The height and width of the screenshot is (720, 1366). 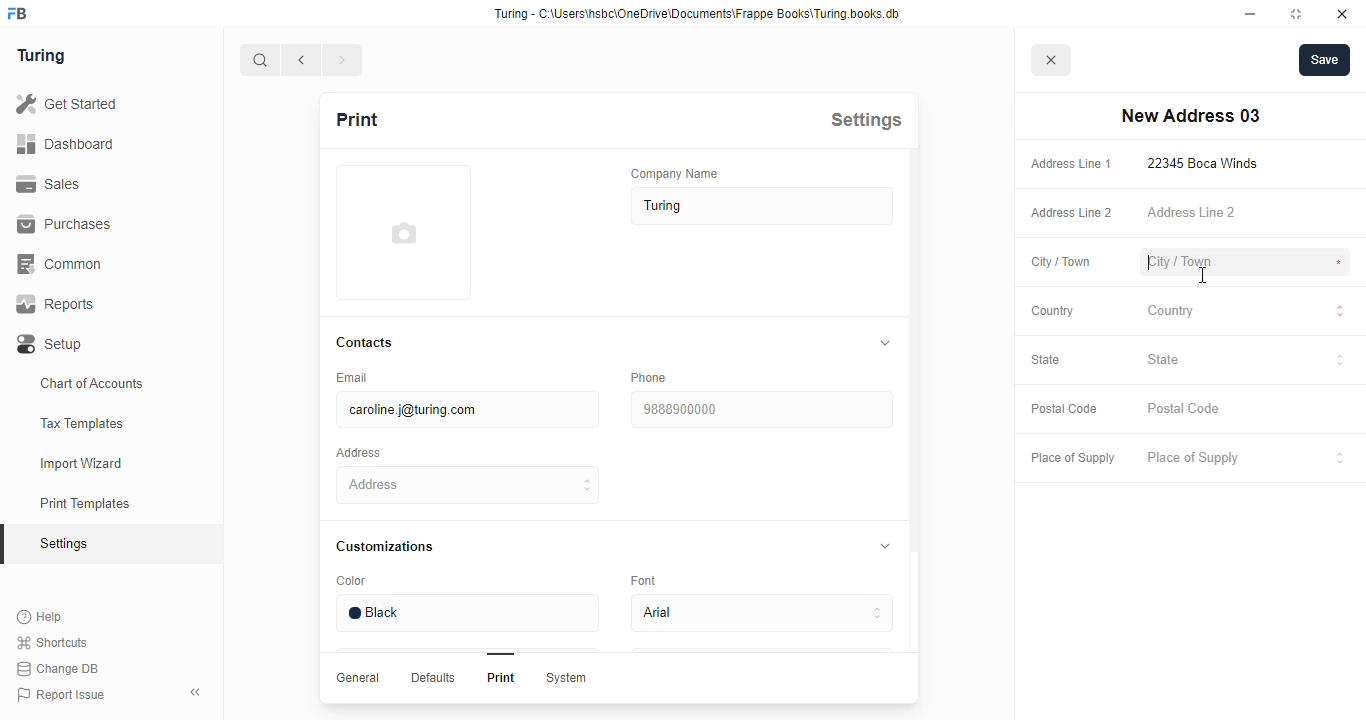 I want to click on close, so click(x=1342, y=14).